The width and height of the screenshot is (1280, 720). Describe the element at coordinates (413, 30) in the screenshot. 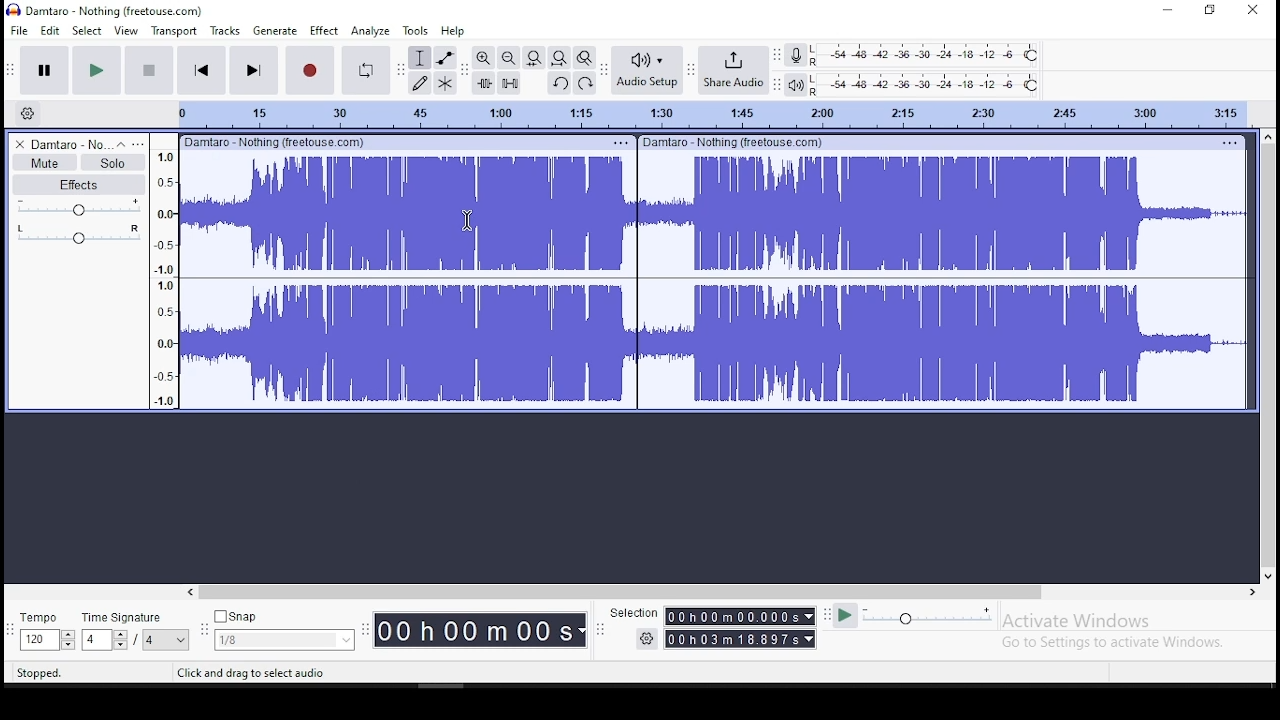

I see `tools` at that location.